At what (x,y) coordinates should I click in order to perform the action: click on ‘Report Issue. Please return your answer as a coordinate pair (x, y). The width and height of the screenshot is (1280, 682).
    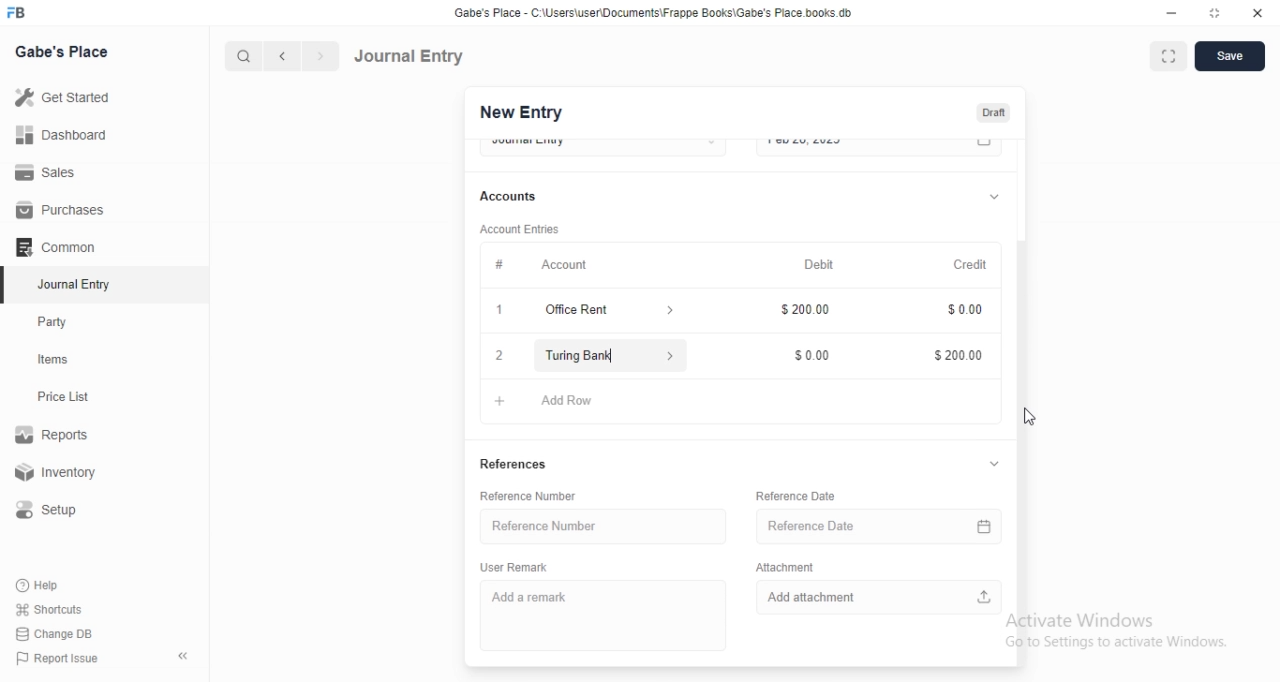
    Looking at the image, I should click on (55, 658).